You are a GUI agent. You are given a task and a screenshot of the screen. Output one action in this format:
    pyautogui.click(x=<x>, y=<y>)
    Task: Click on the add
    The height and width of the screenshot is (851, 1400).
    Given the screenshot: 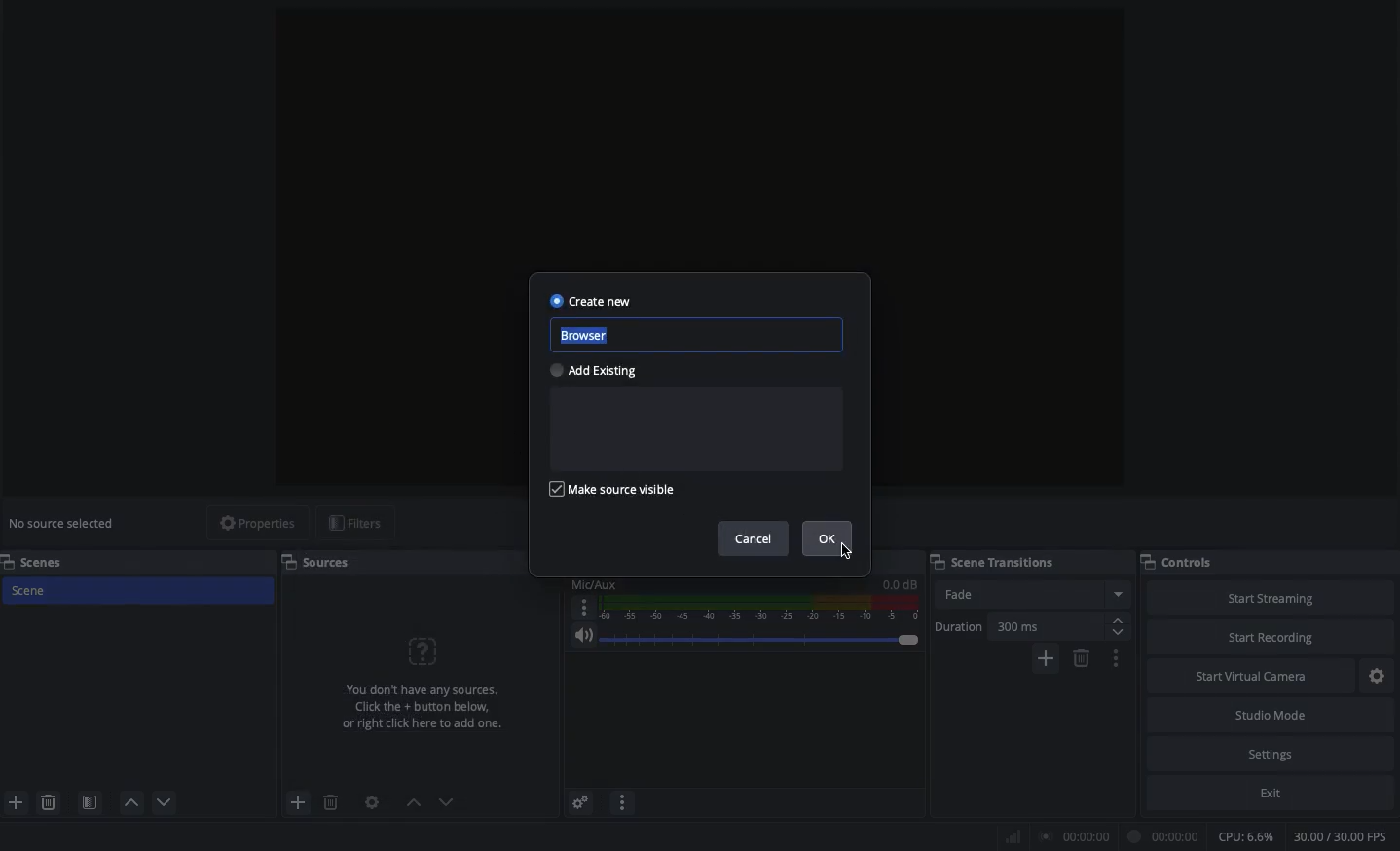 What is the action you would take?
    pyautogui.click(x=298, y=802)
    